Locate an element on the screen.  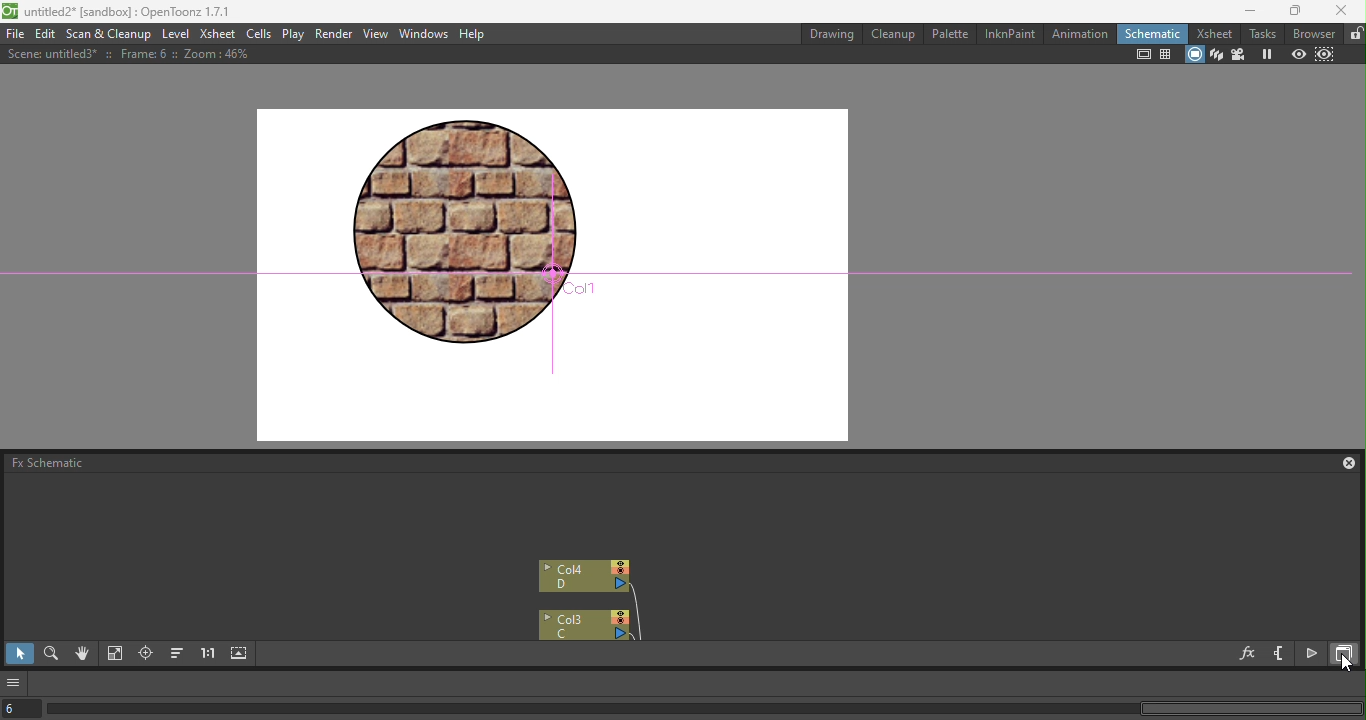
New output is located at coordinates (1279, 654).